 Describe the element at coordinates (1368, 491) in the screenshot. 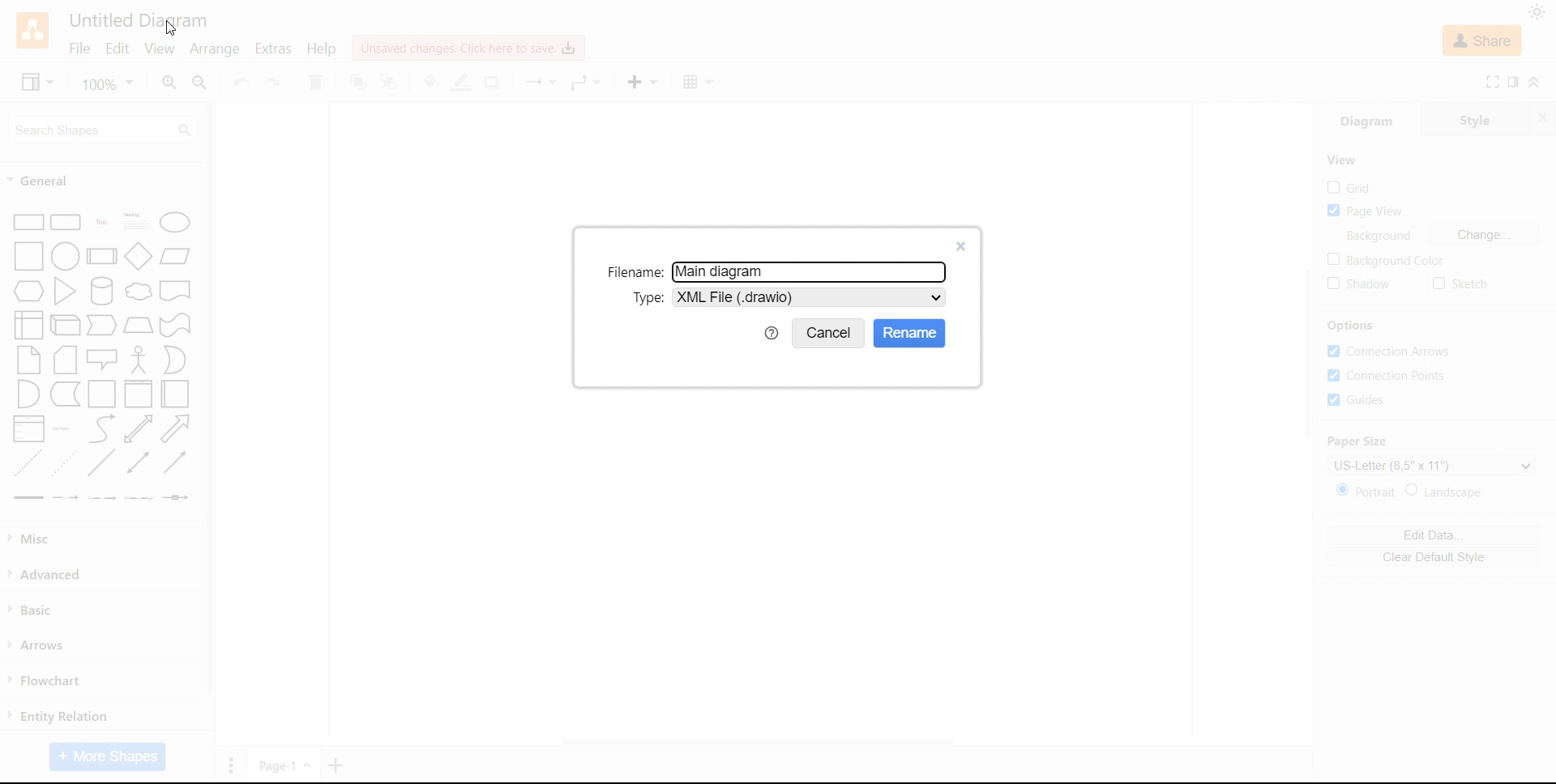

I see `Portrait ` at that location.